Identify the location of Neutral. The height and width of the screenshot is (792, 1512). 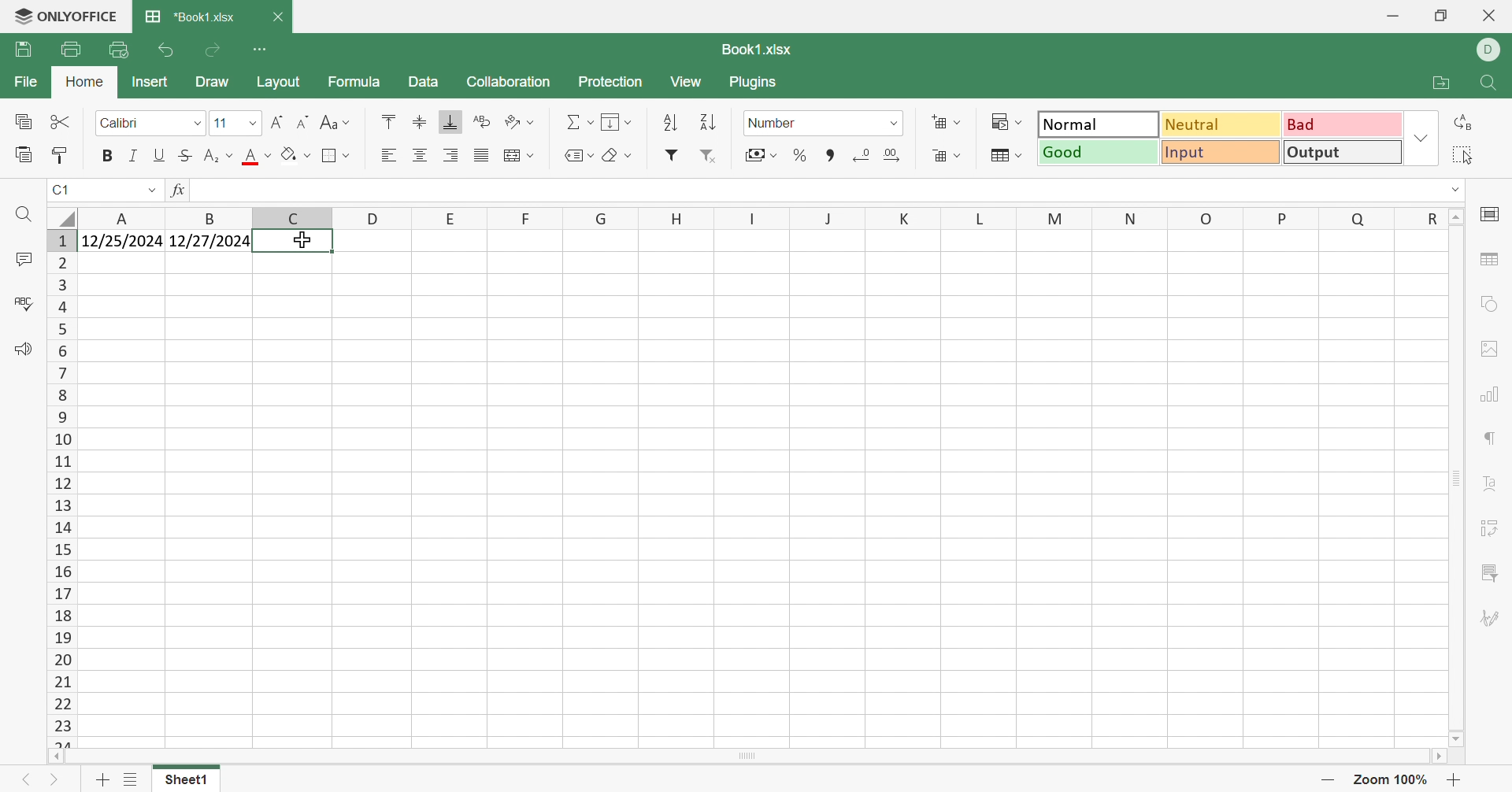
(1222, 124).